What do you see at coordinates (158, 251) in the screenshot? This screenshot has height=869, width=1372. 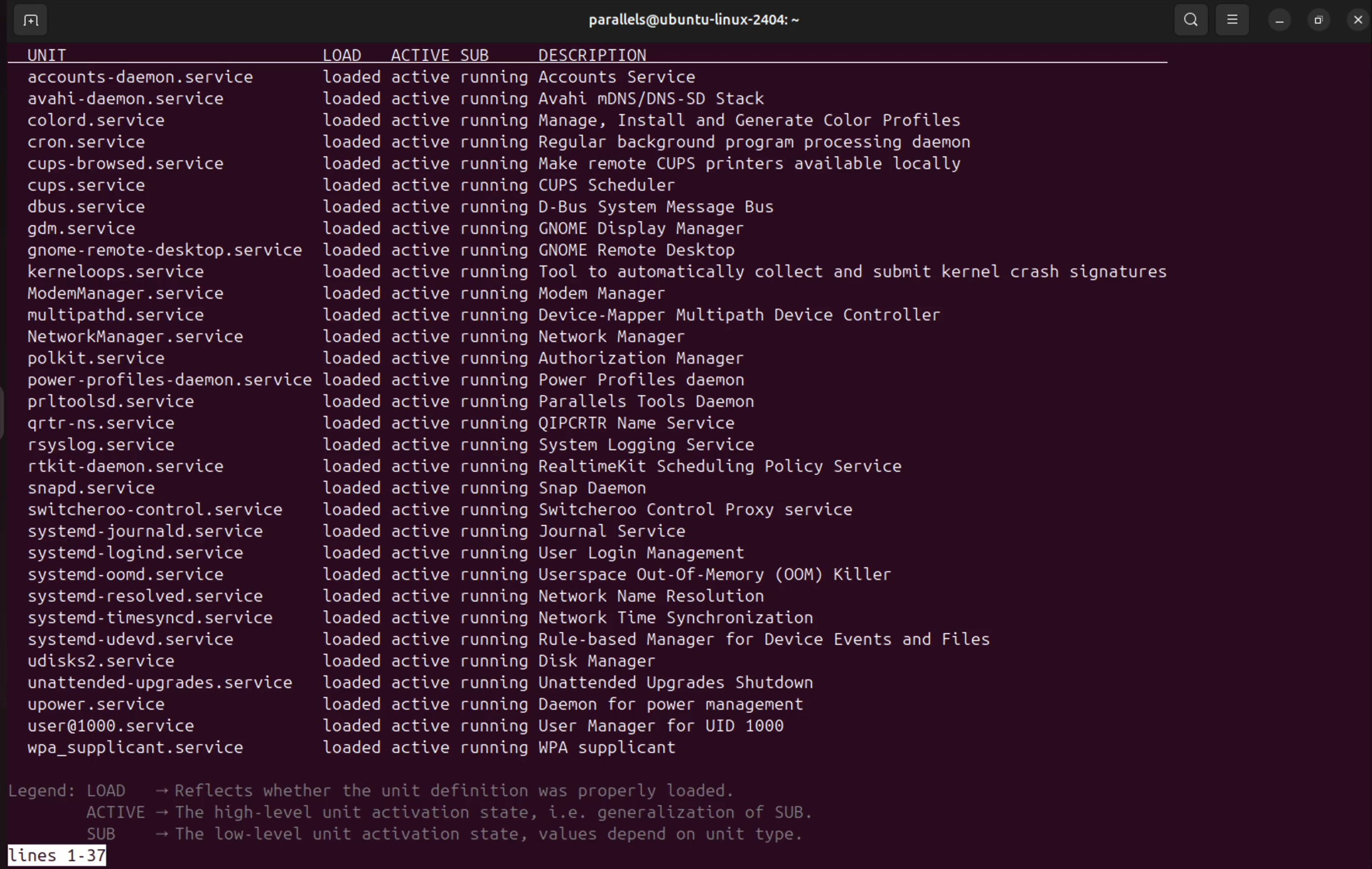 I see `genome desk service` at bounding box center [158, 251].